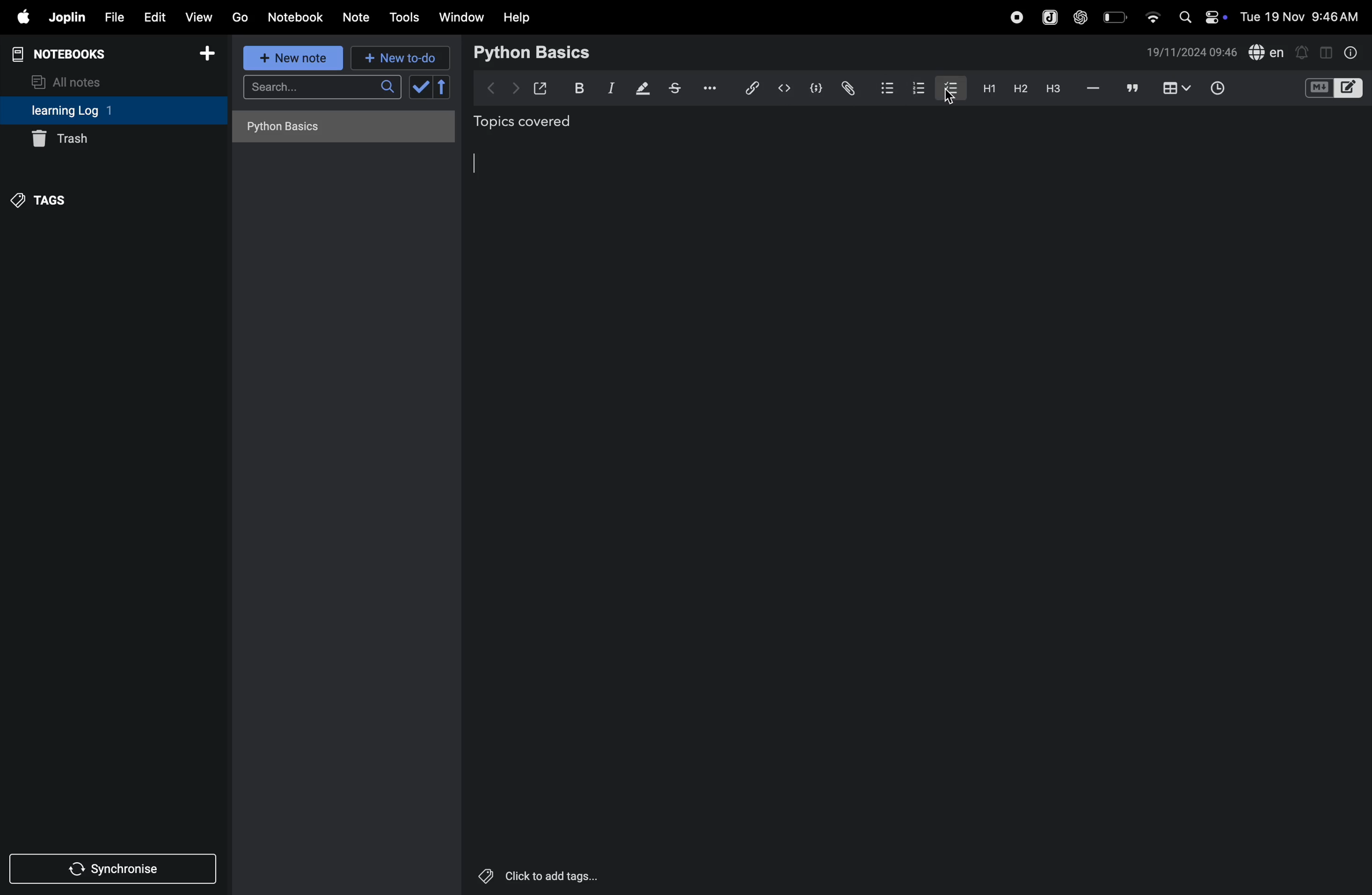 This screenshot has width=1372, height=895. Describe the element at coordinates (1116, 16) in the screenshot. I see `battery` at that location.